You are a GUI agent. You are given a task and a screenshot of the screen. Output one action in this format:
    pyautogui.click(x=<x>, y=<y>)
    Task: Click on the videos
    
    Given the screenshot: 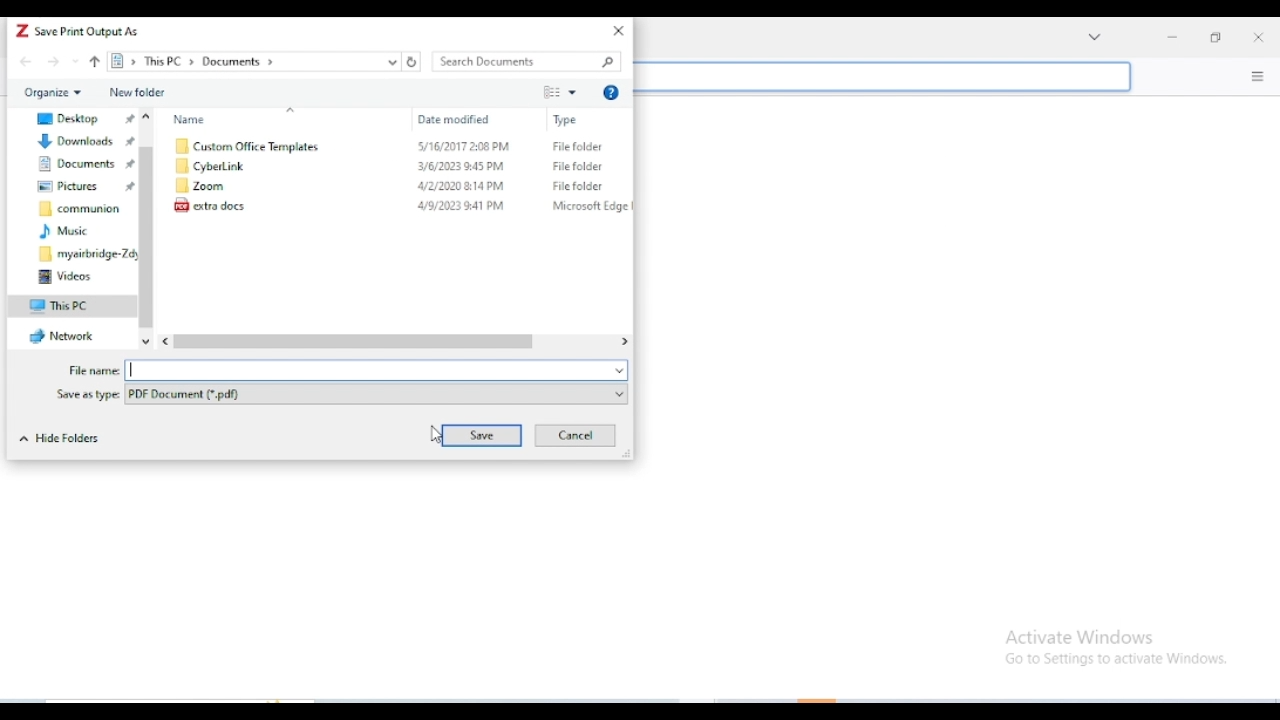 What is the action you would take?
    pyautogui.click(x=64, y=277)
    